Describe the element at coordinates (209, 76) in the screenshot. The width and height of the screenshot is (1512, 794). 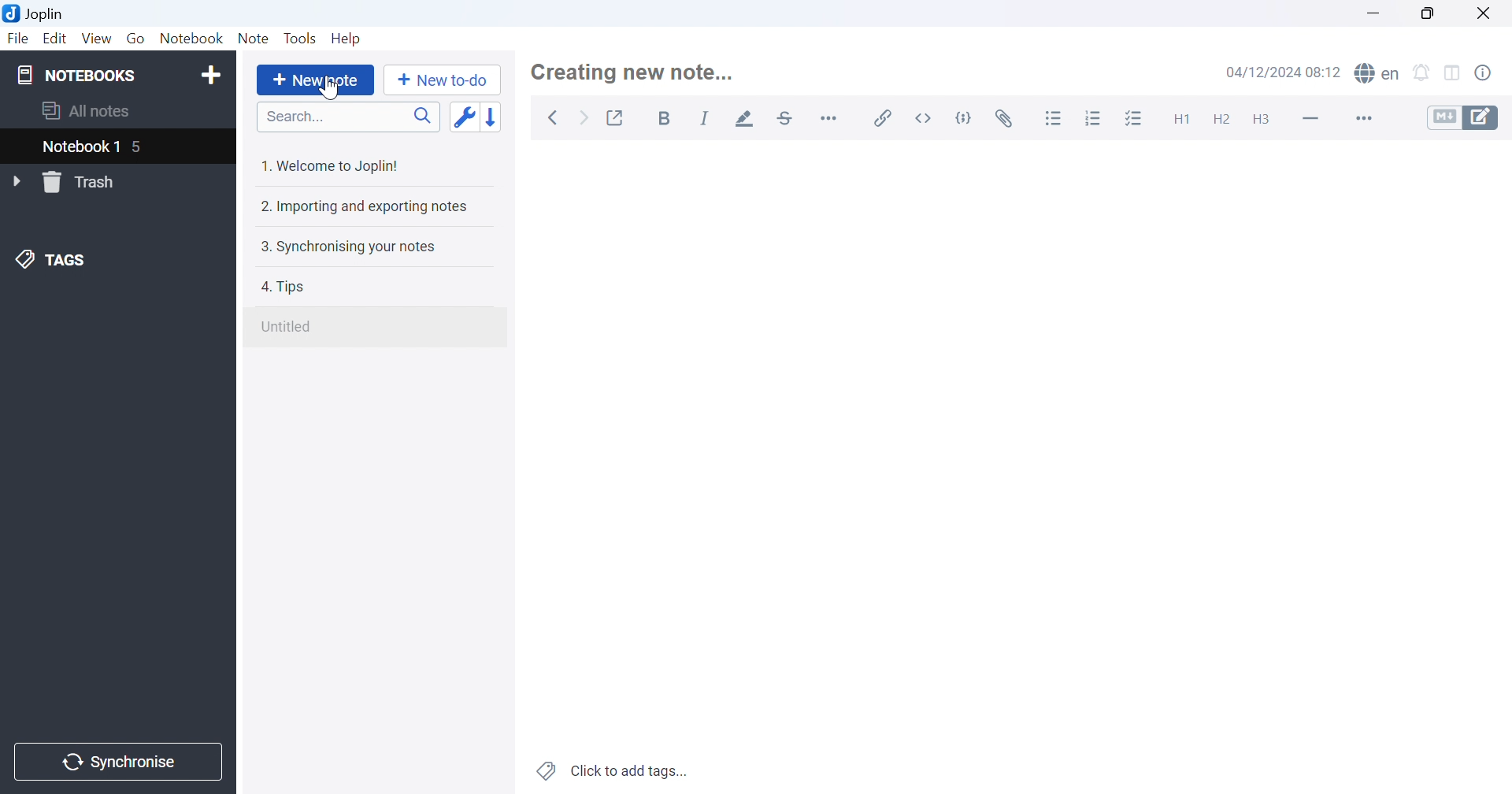
I see `Add notebook` at that location.